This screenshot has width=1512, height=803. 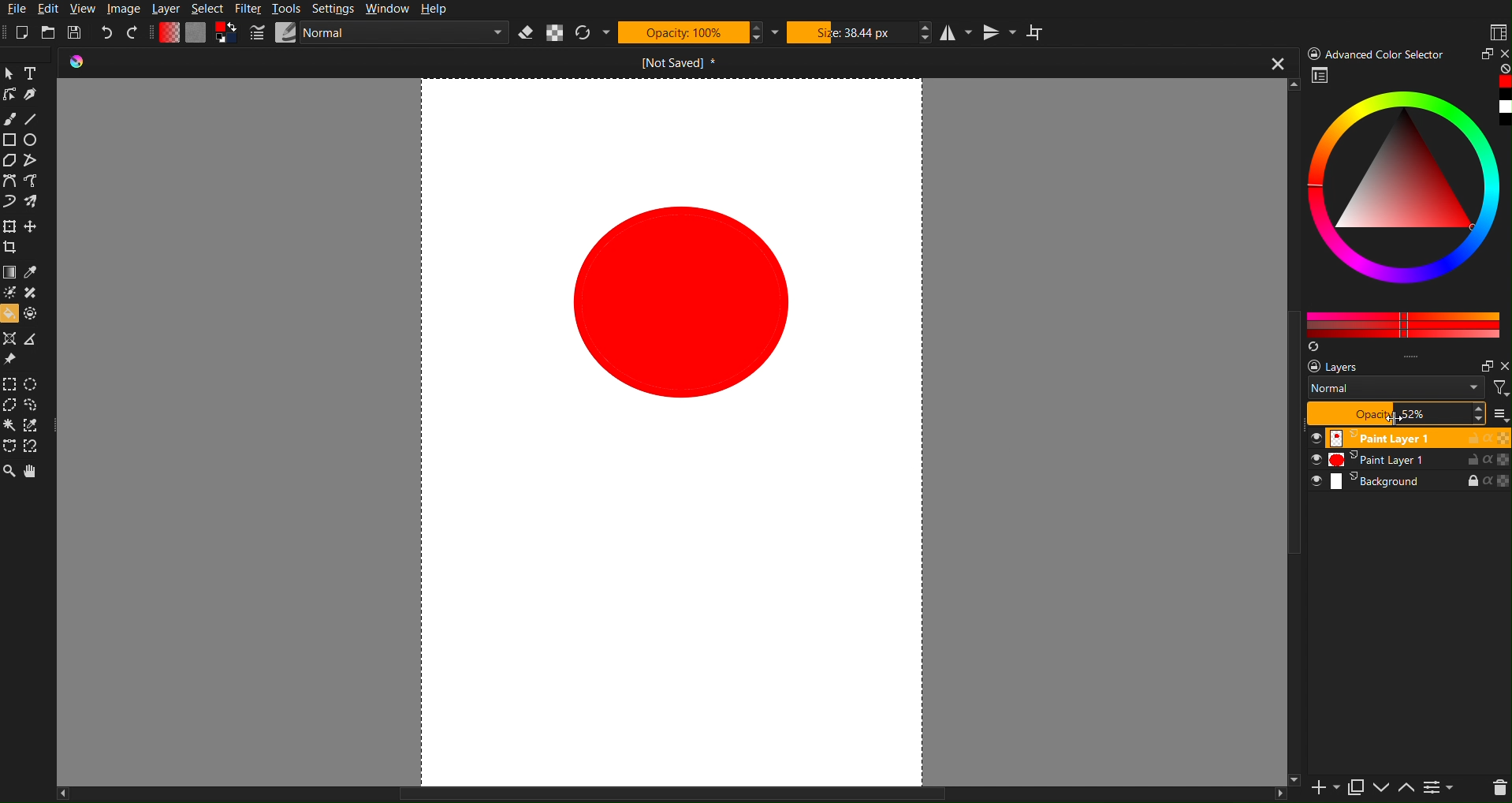 What do you see at coordinates (1483, 364) in the screenshot?
I see `Minimize` at bounding box center [1483, 364].